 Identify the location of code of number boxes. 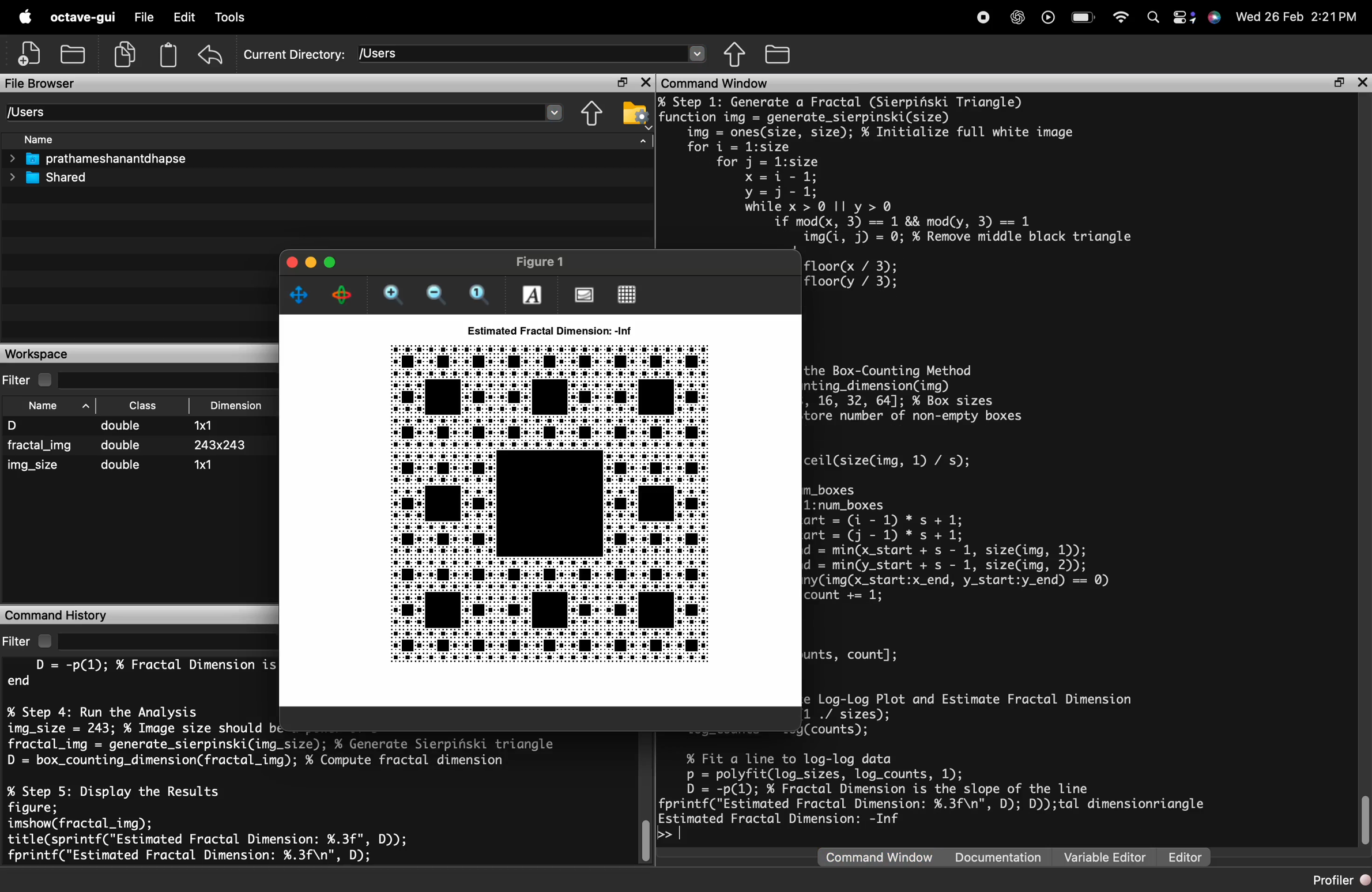
(1016, 530).